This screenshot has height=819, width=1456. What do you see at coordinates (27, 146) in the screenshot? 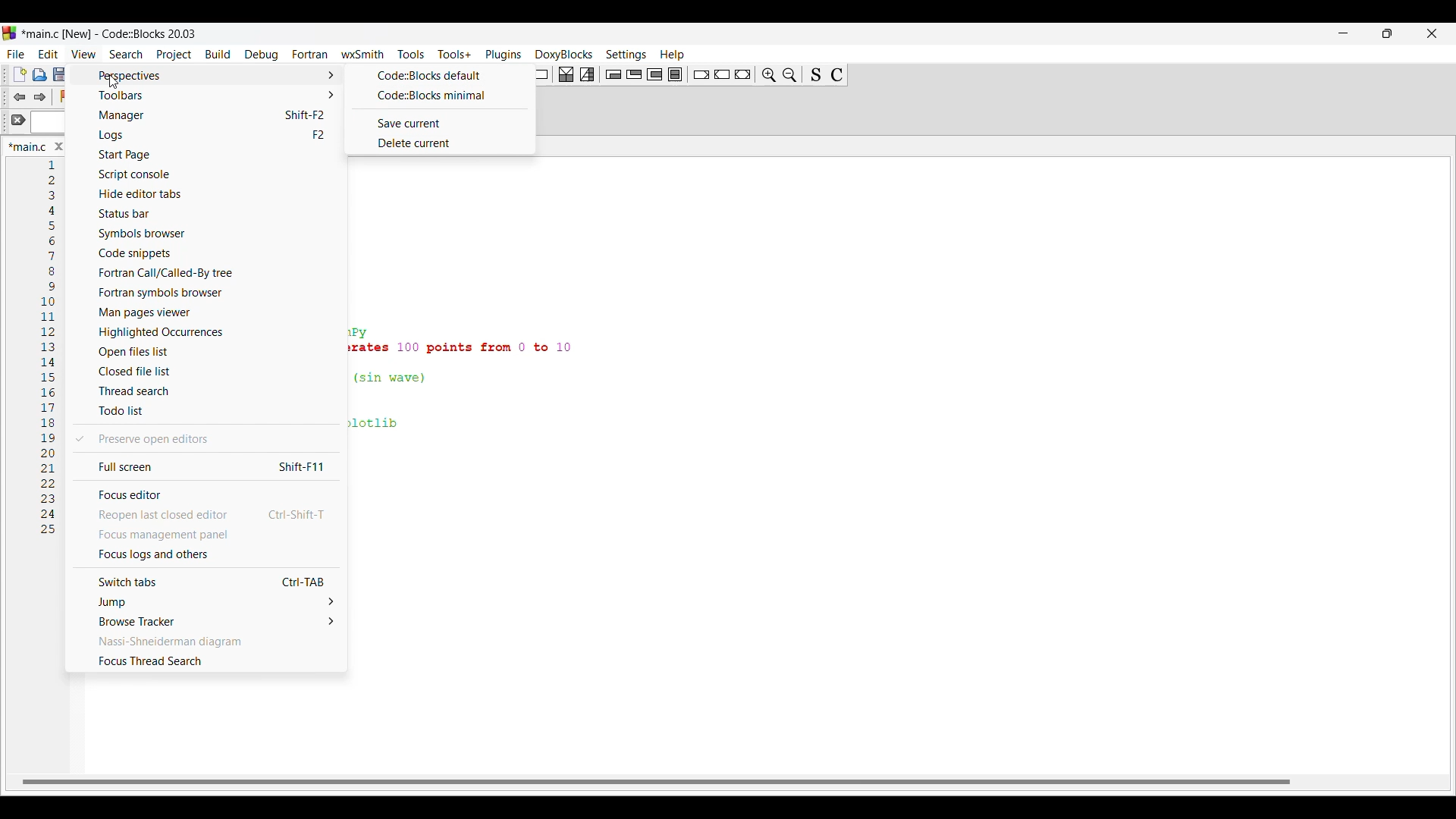
I see `Current tab` at bounding box center [27, 146].